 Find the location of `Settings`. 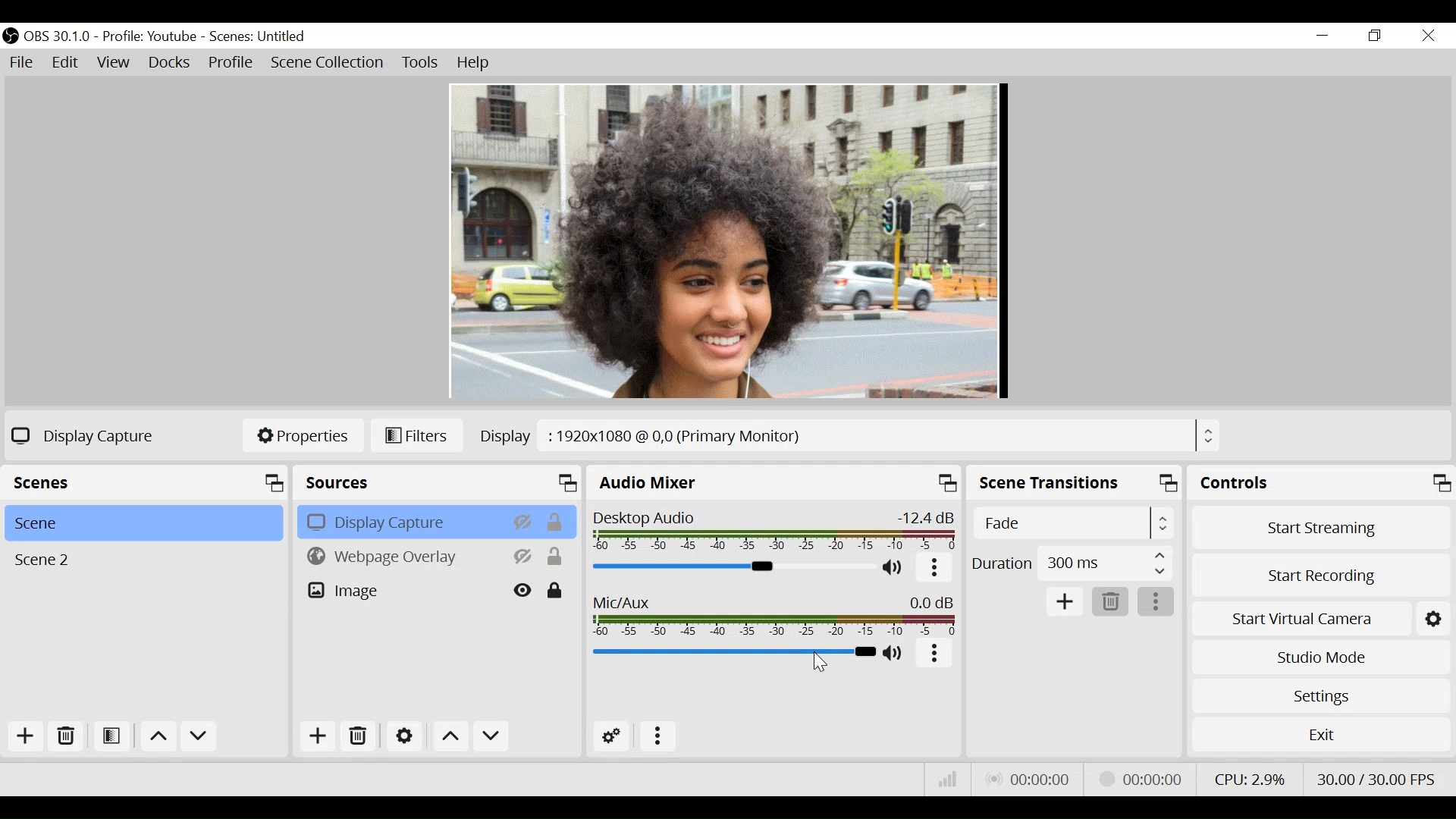

Settings is located at coordinates (1435, 618).